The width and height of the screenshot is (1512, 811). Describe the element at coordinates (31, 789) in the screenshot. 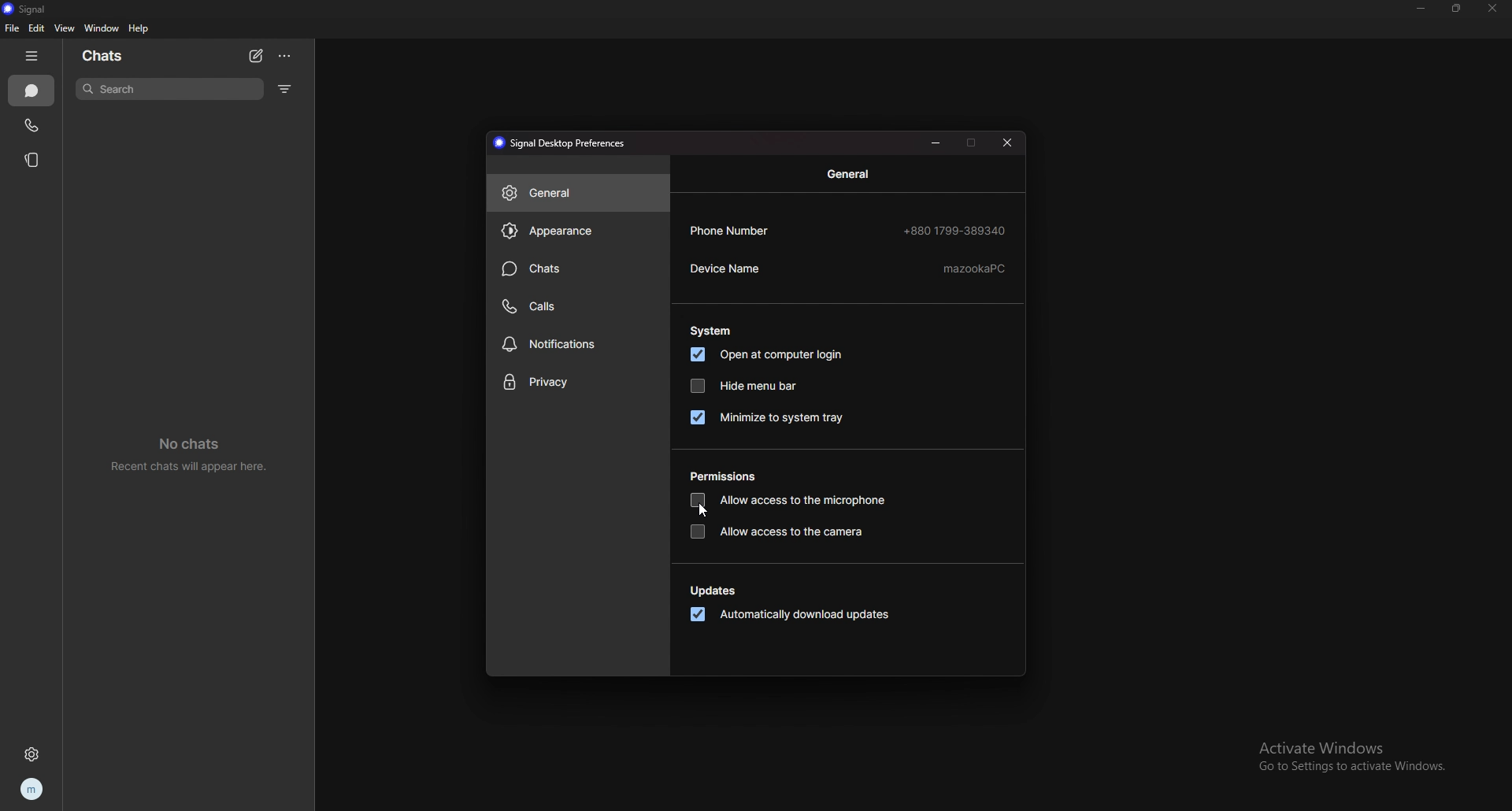

I see `profile` at that location.